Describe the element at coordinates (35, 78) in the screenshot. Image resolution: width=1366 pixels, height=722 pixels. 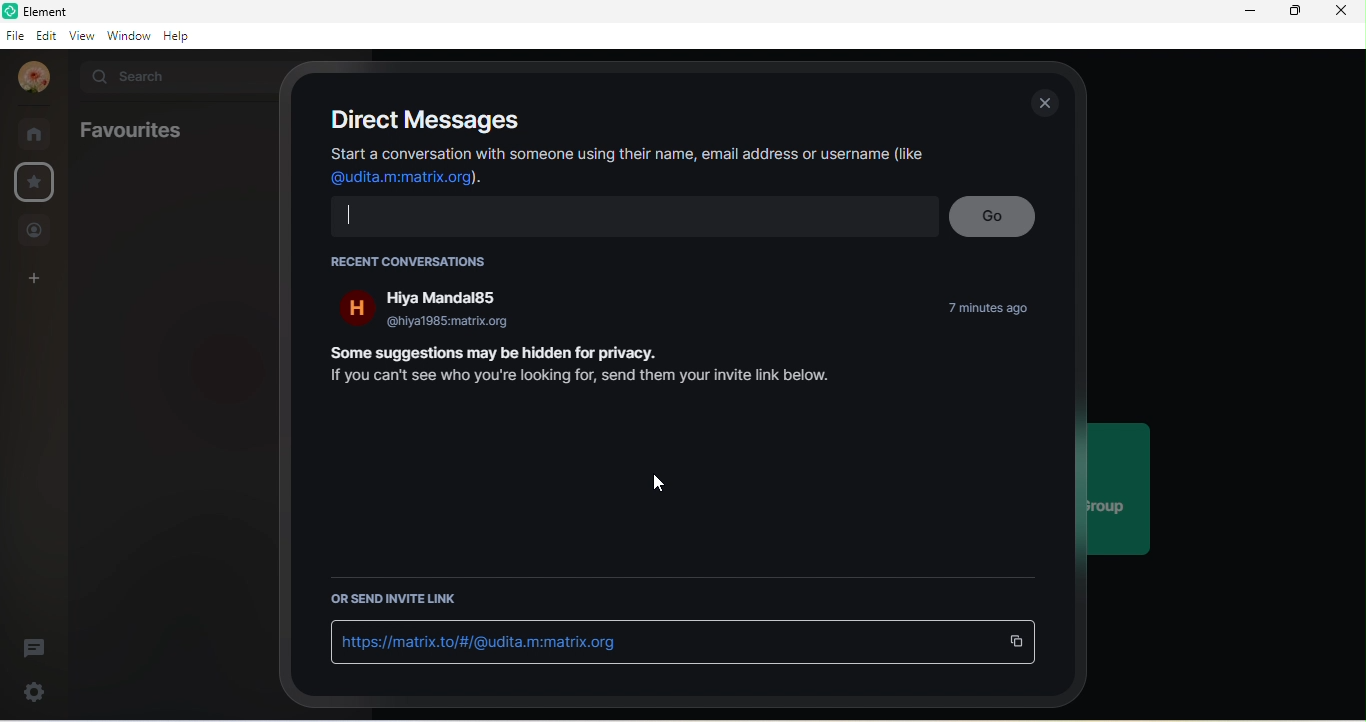
I see `profile photo` at that location.